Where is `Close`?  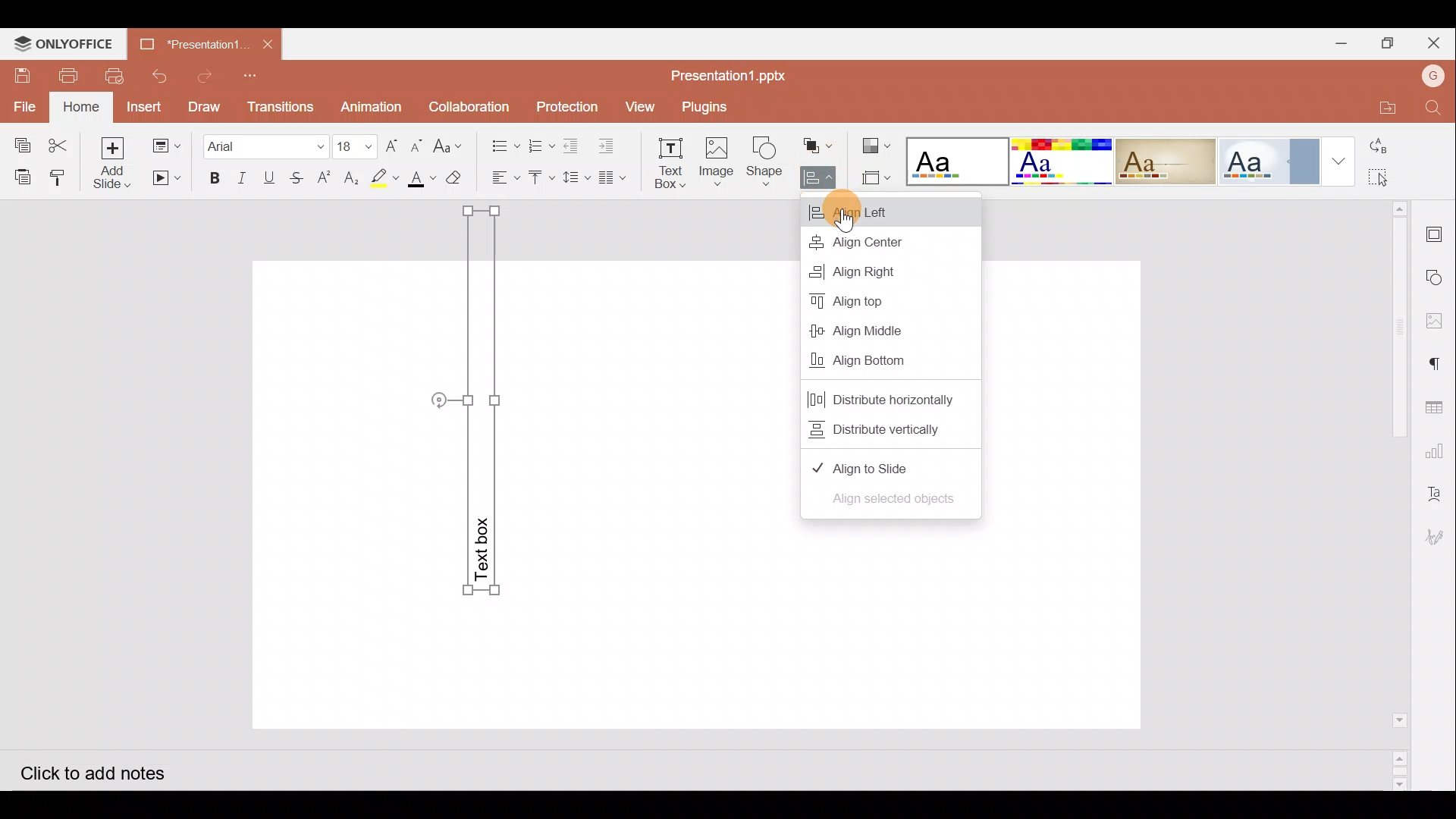 Close is located at coordinates (1437, 44).